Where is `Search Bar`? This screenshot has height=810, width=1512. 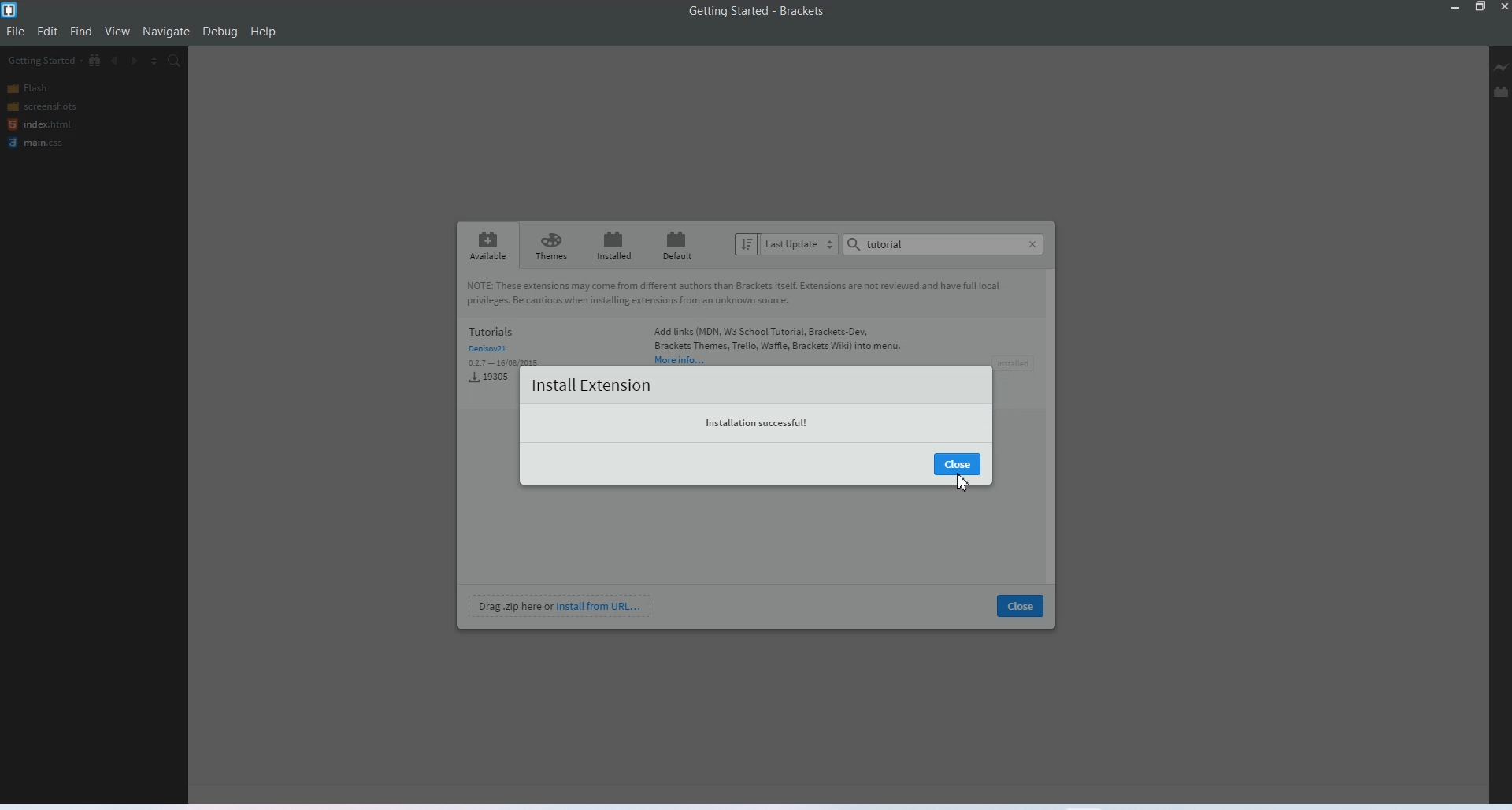
Search Bar is located at coordinates (943, 244).